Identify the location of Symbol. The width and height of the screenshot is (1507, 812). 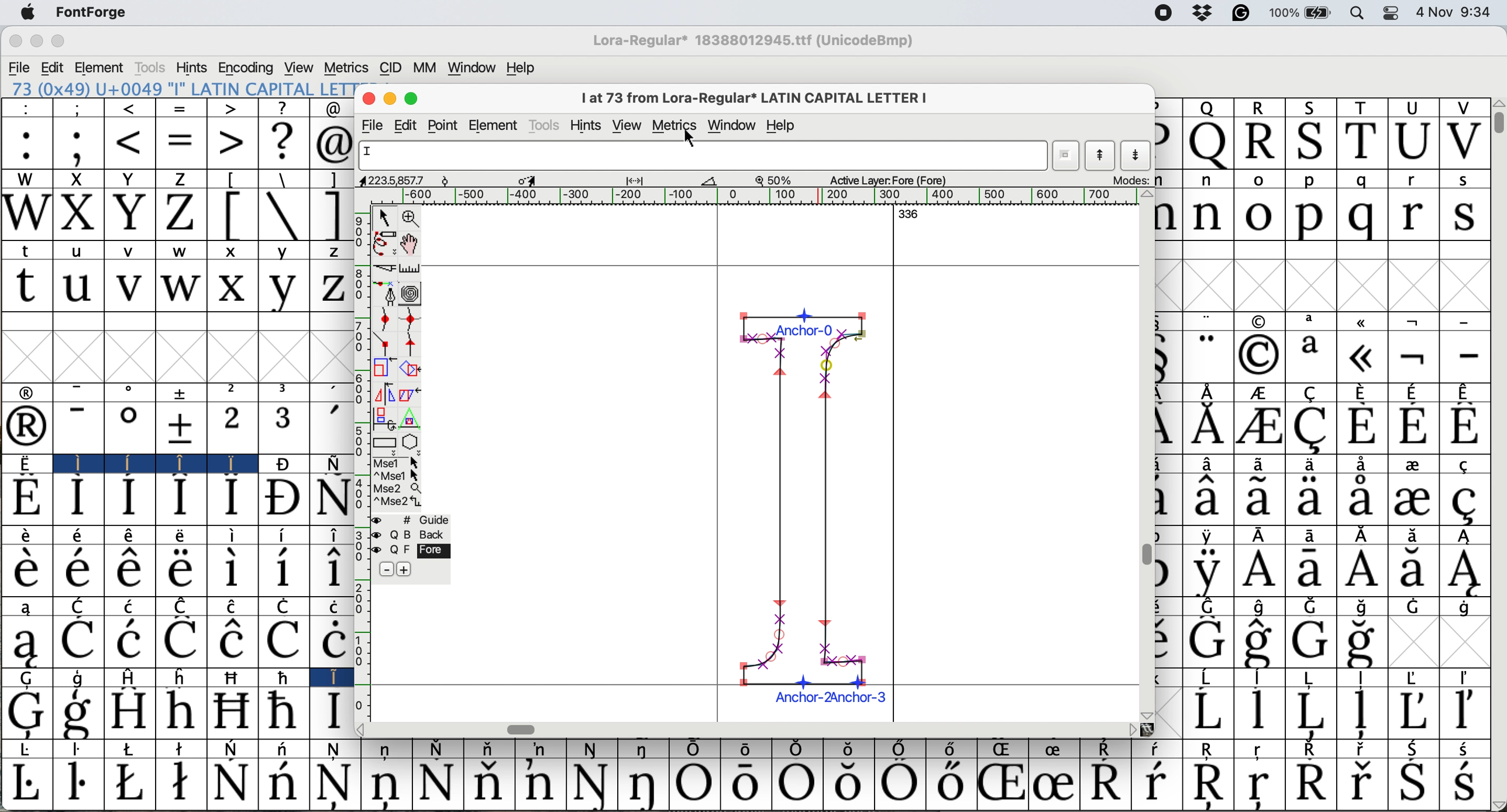
(23, 713).